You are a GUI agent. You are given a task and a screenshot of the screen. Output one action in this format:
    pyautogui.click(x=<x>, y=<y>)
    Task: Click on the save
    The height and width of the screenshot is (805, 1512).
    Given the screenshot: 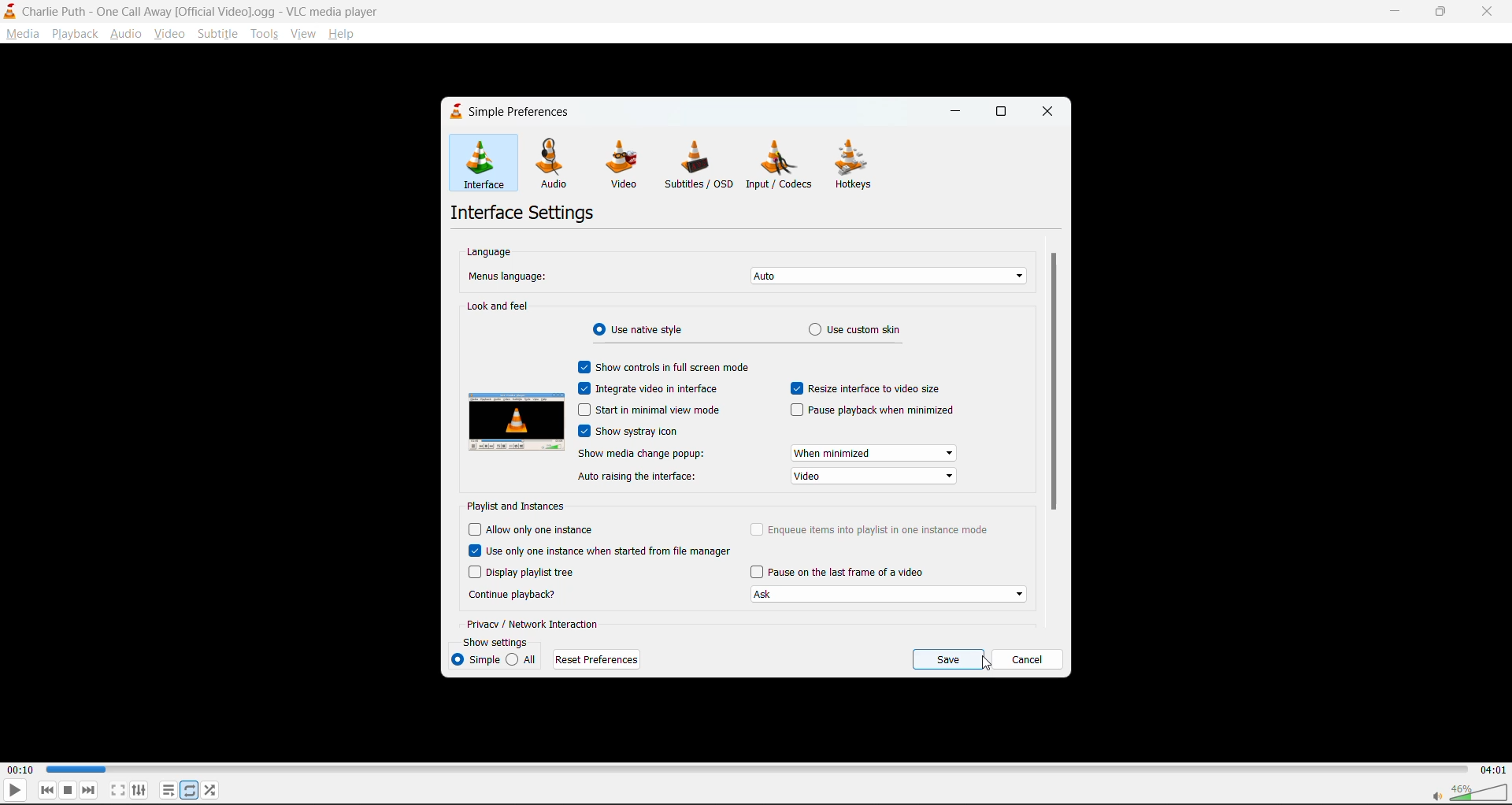 What is the action you would take?
    pyautogui.click(x=951, y=657)
    